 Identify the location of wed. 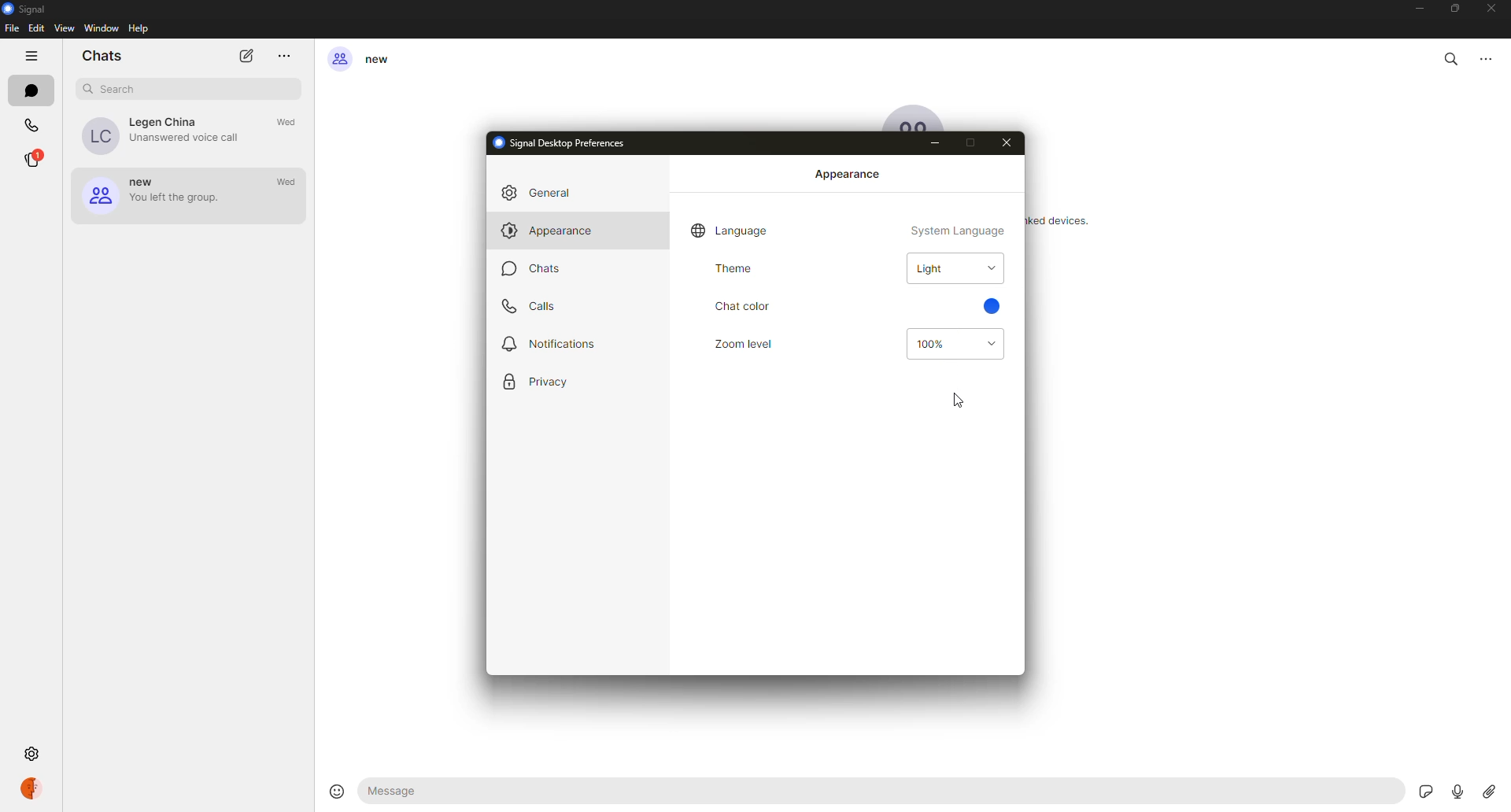
(286, 183).